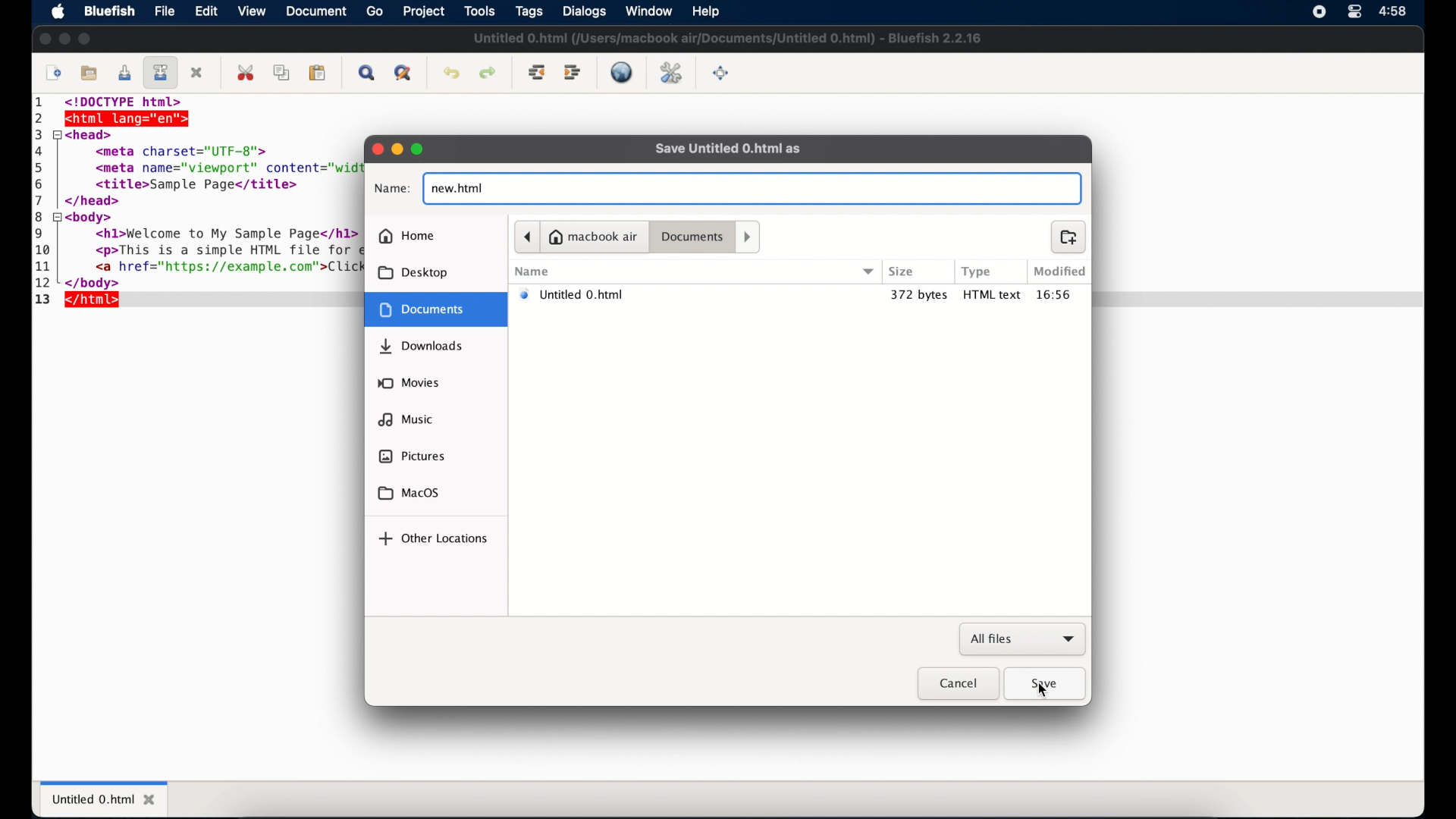 This screenshot has height=819, width=1456. I want to click on 12, so click(45, 283).